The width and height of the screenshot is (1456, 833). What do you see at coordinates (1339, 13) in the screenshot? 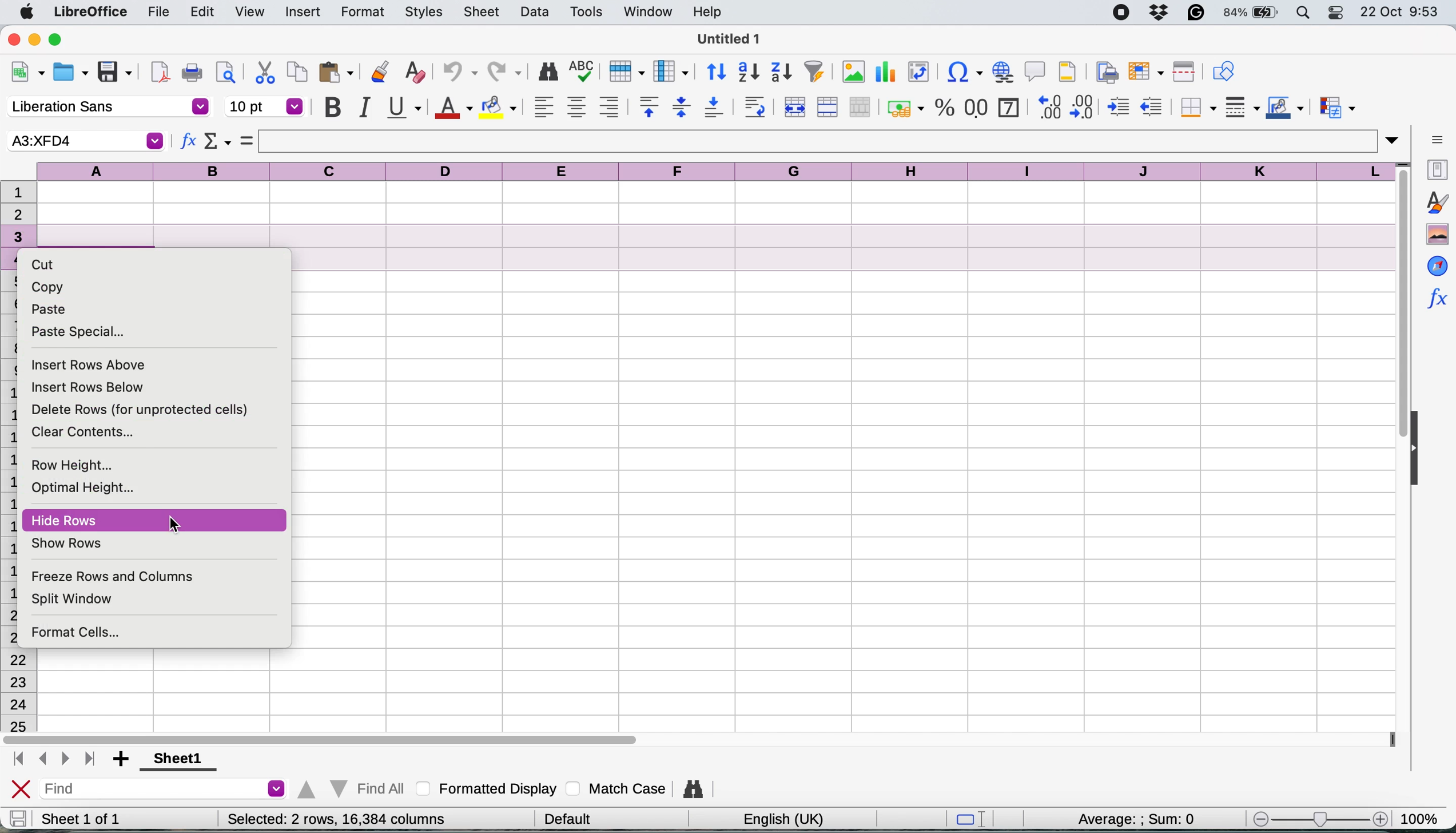
I see `control center` at bounding box center [1339, 13].